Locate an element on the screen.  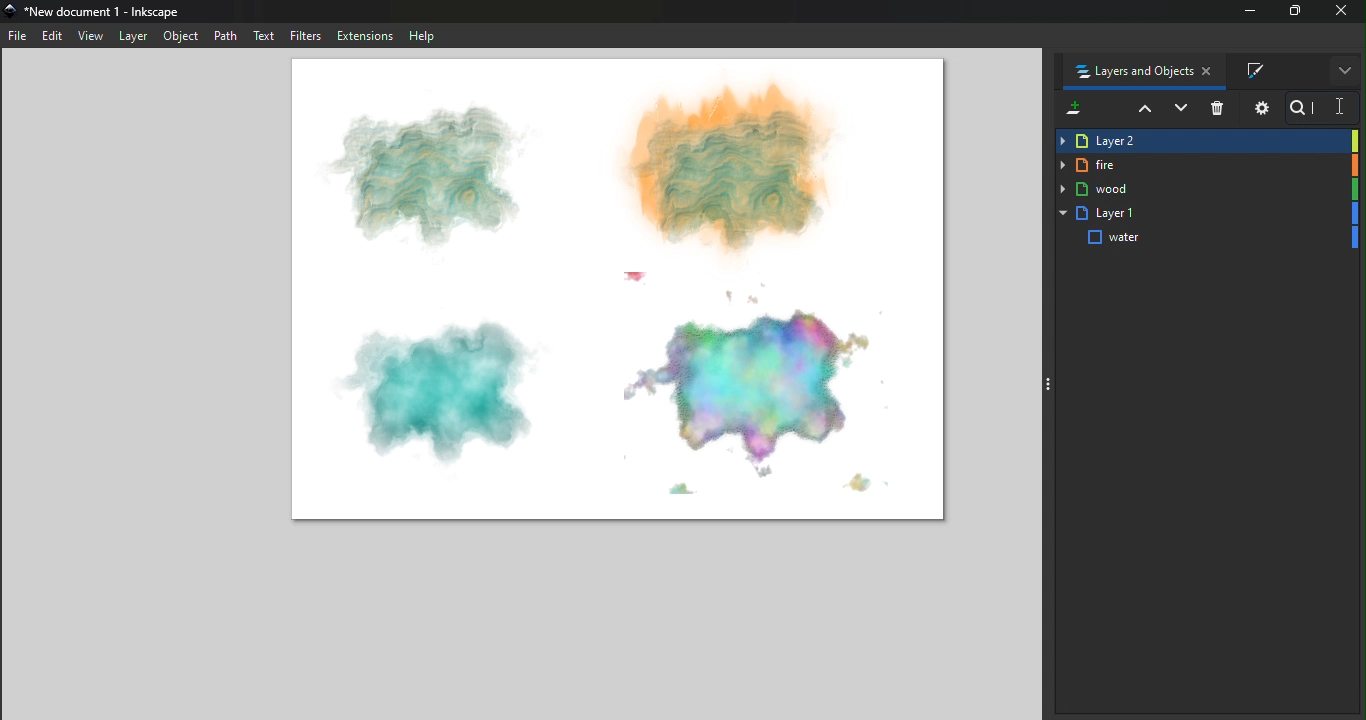
Layers and objects is located at coordinates (1137, 70).